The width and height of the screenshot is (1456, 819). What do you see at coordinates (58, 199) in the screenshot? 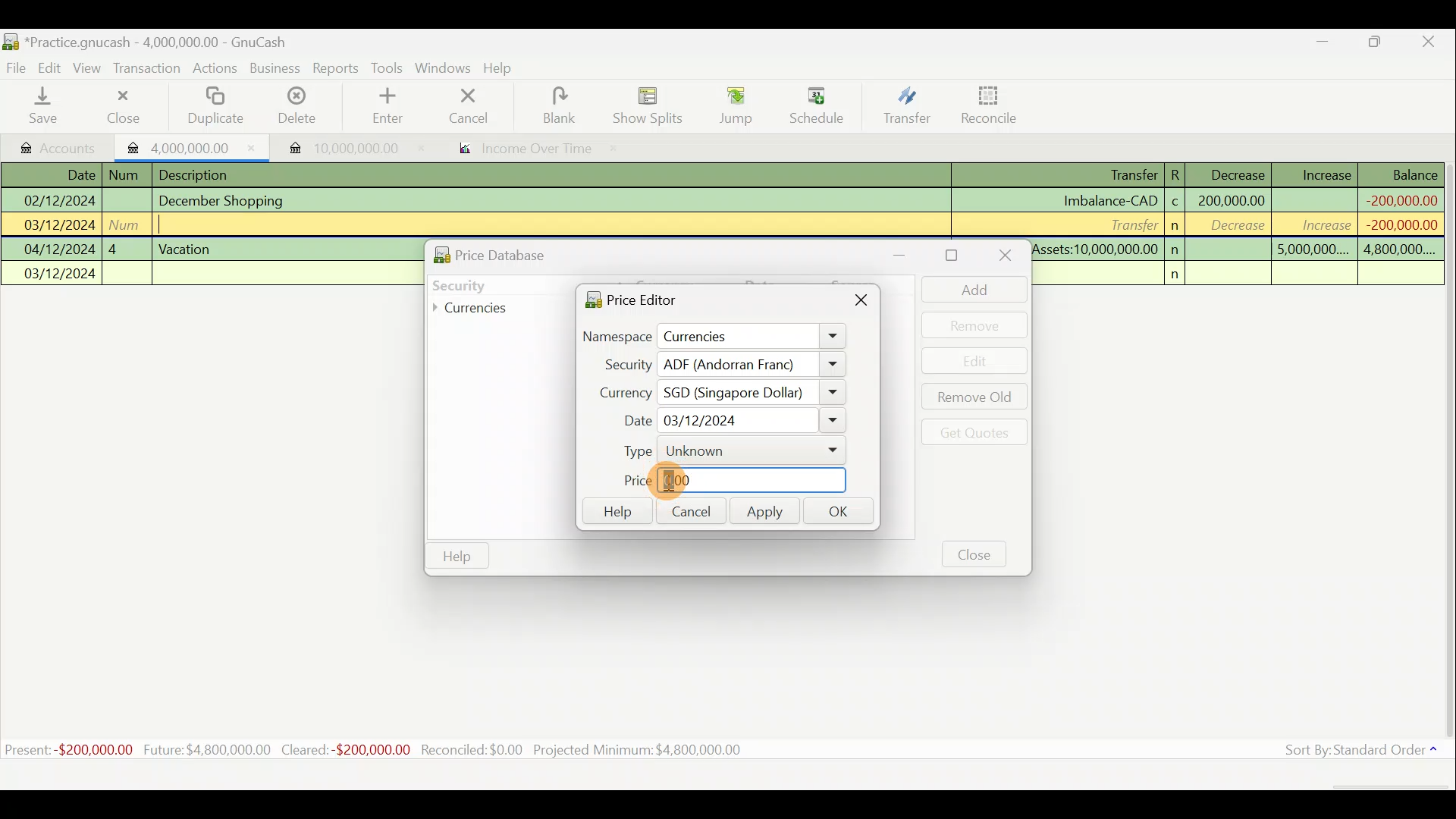
I see `02/12/2024` at bounding box center [58, 199].